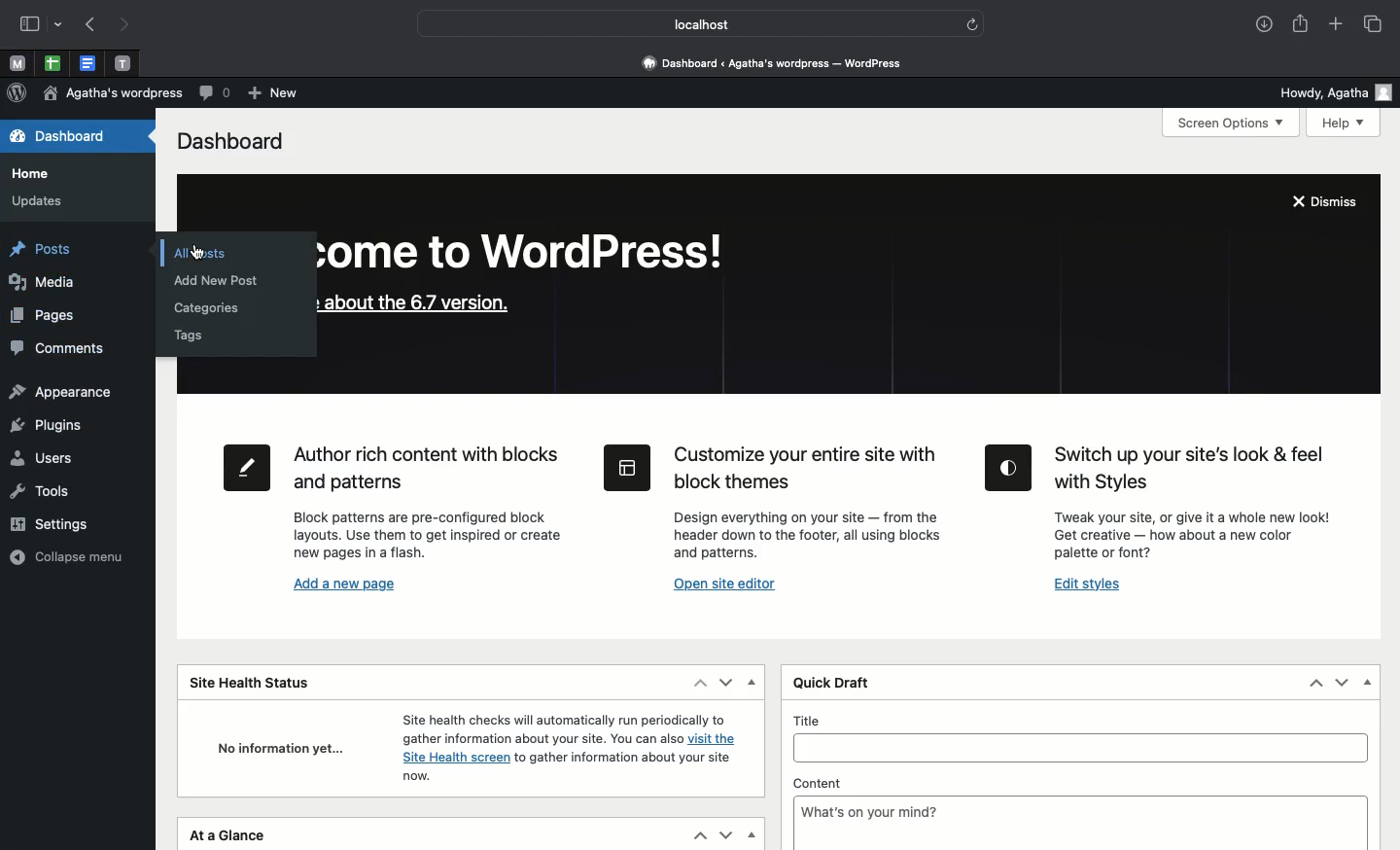  What do you see at coordinates (232, 836) in the screenshot?
I see `At a glance` at bounding box center [232, 836].